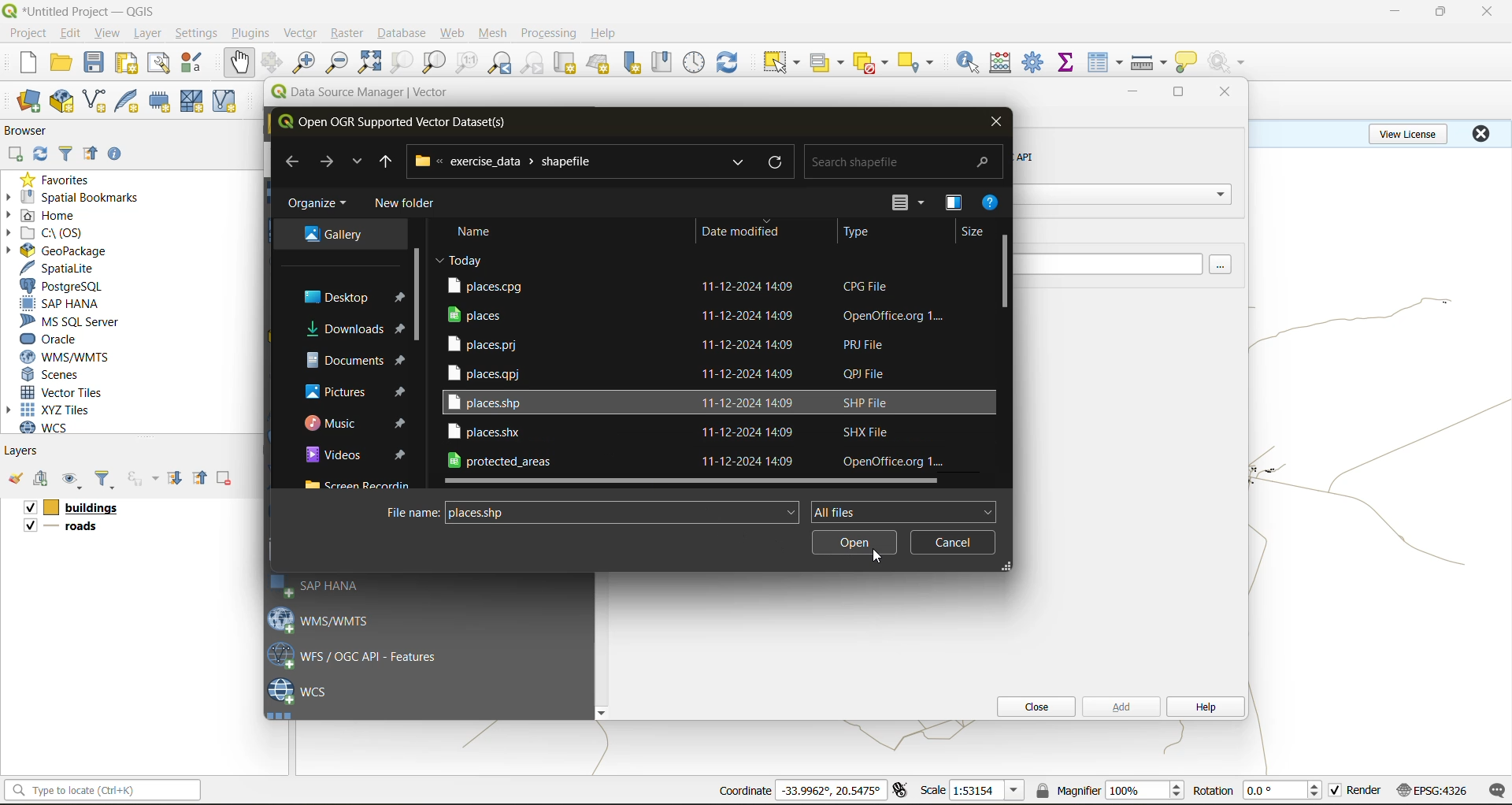  I want to click on scale, so click(986, 791).